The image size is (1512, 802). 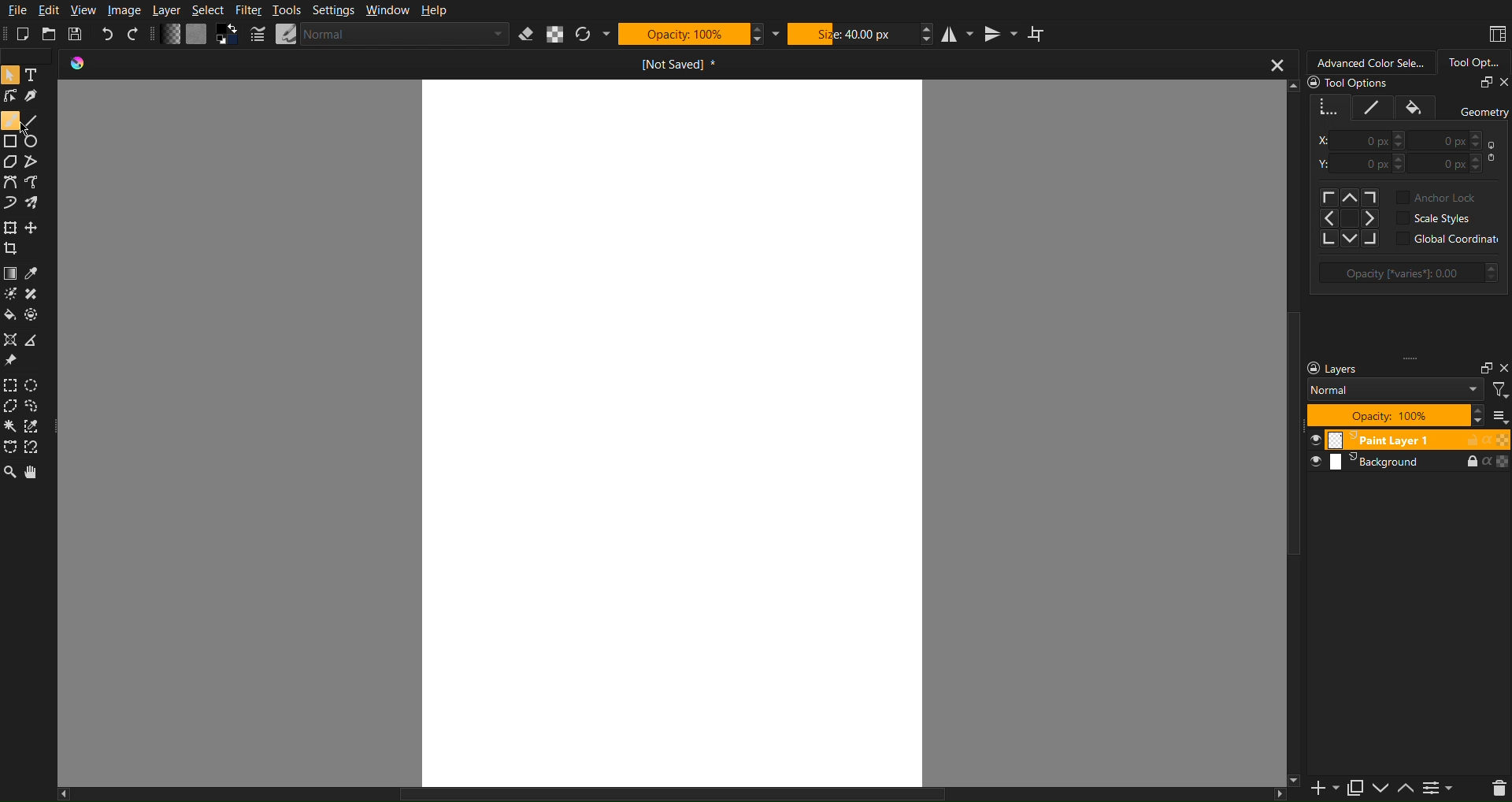 What do you see at coordinates (39, 184) in the screenshot?
I see `Bezier Curve` at bounding box center [39, 184].